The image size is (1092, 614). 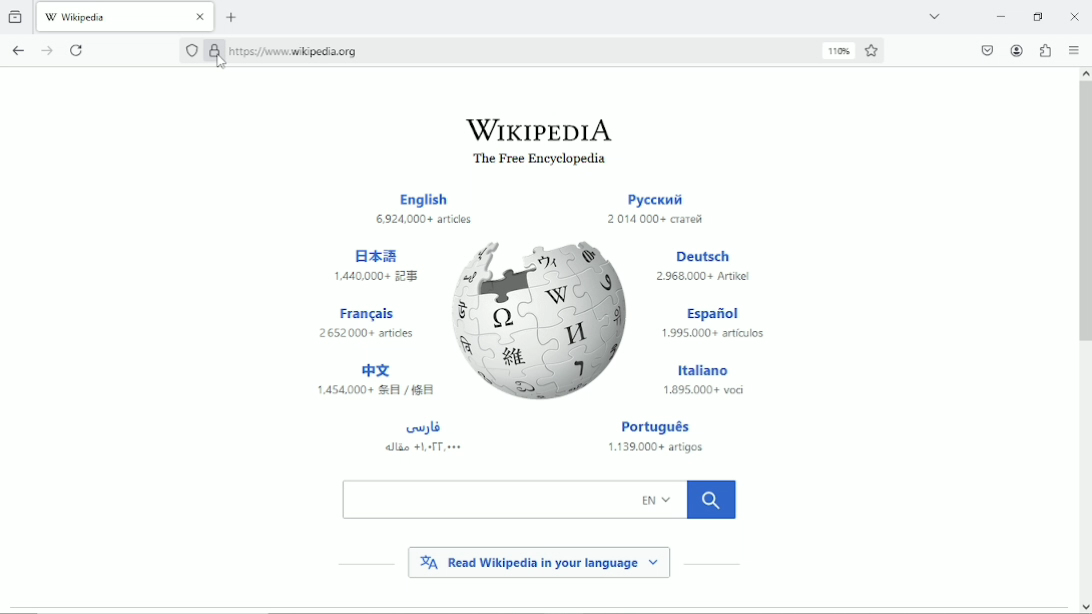 I want to click on extensions, so click(x=1046, y=50).